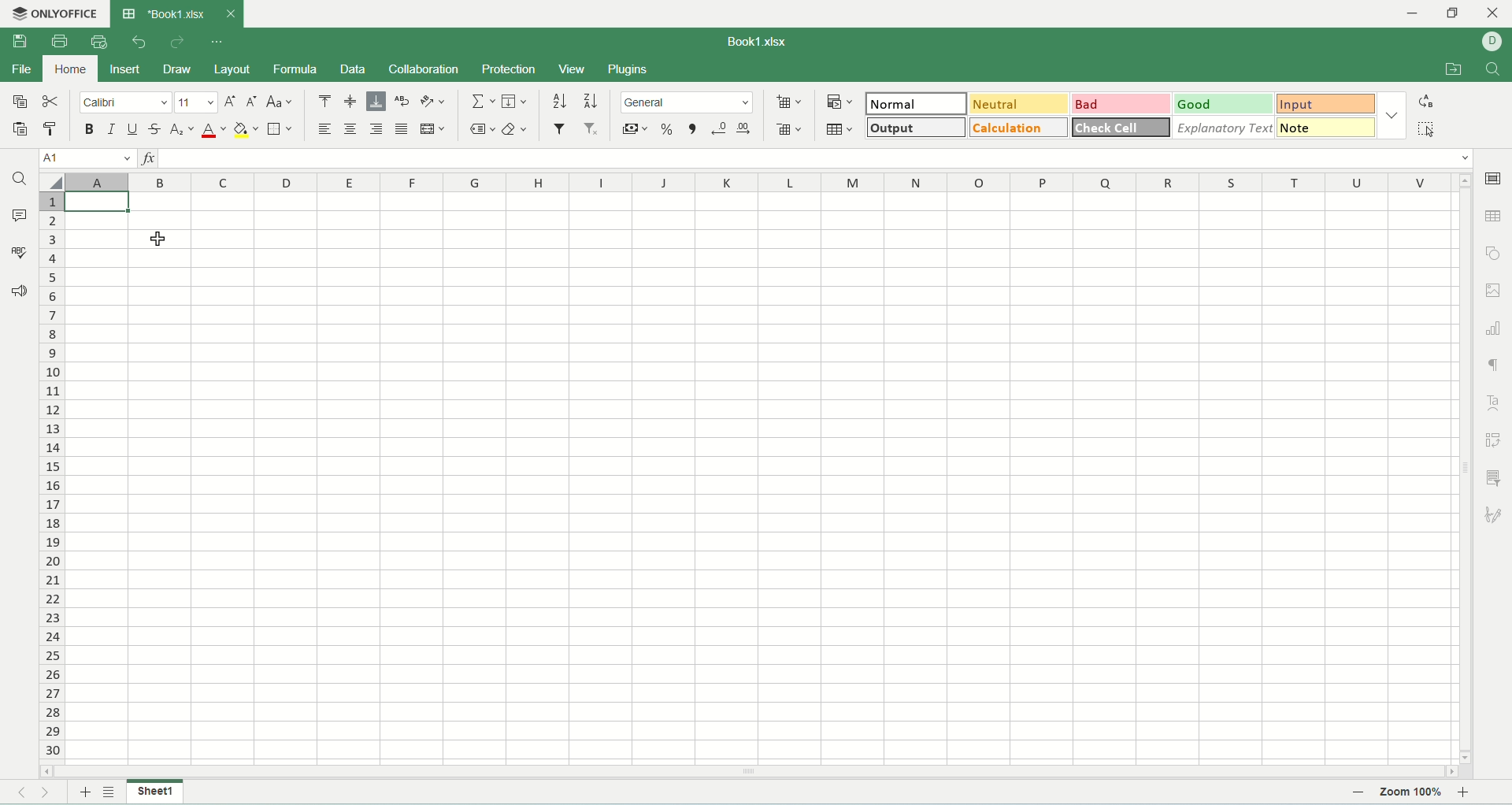  I want to click on font color, so click(214, 130).